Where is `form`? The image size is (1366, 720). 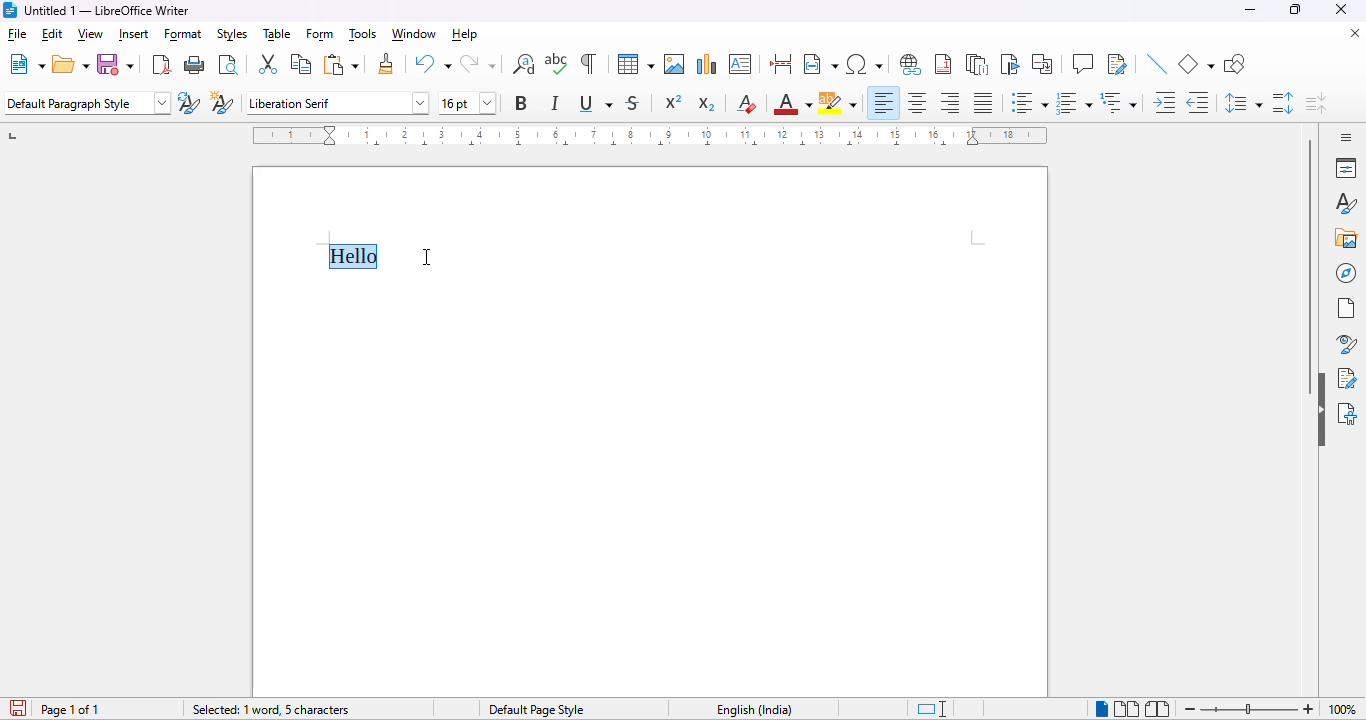 form is located at coordinates (319, 34).